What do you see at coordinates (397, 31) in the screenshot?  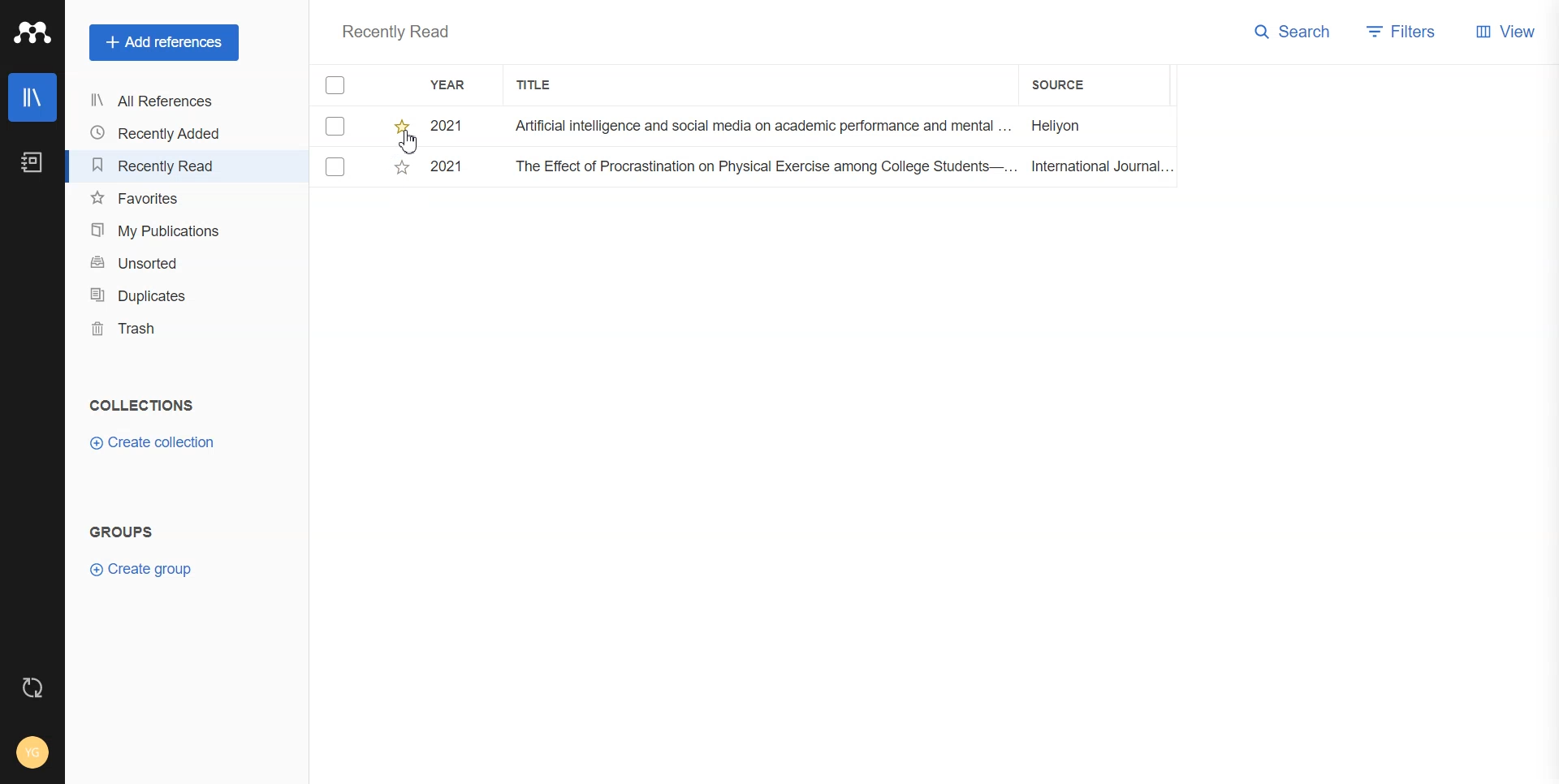 I see `Text` at bounding box center [397, 31].